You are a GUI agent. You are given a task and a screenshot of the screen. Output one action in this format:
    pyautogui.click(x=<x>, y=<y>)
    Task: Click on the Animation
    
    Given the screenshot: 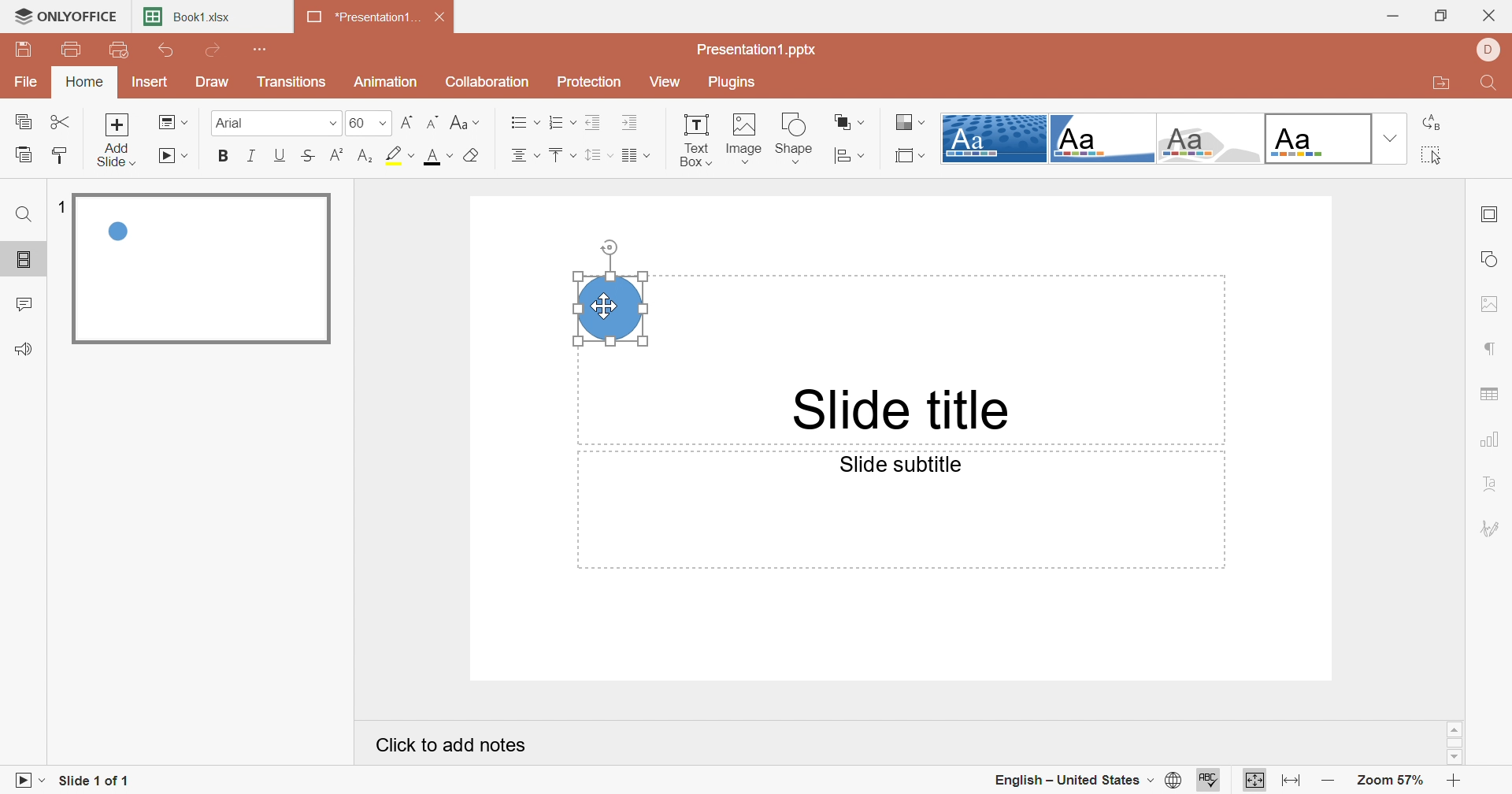 What is the action you would take?
    pyautogui.click(x=387, y=80)
    